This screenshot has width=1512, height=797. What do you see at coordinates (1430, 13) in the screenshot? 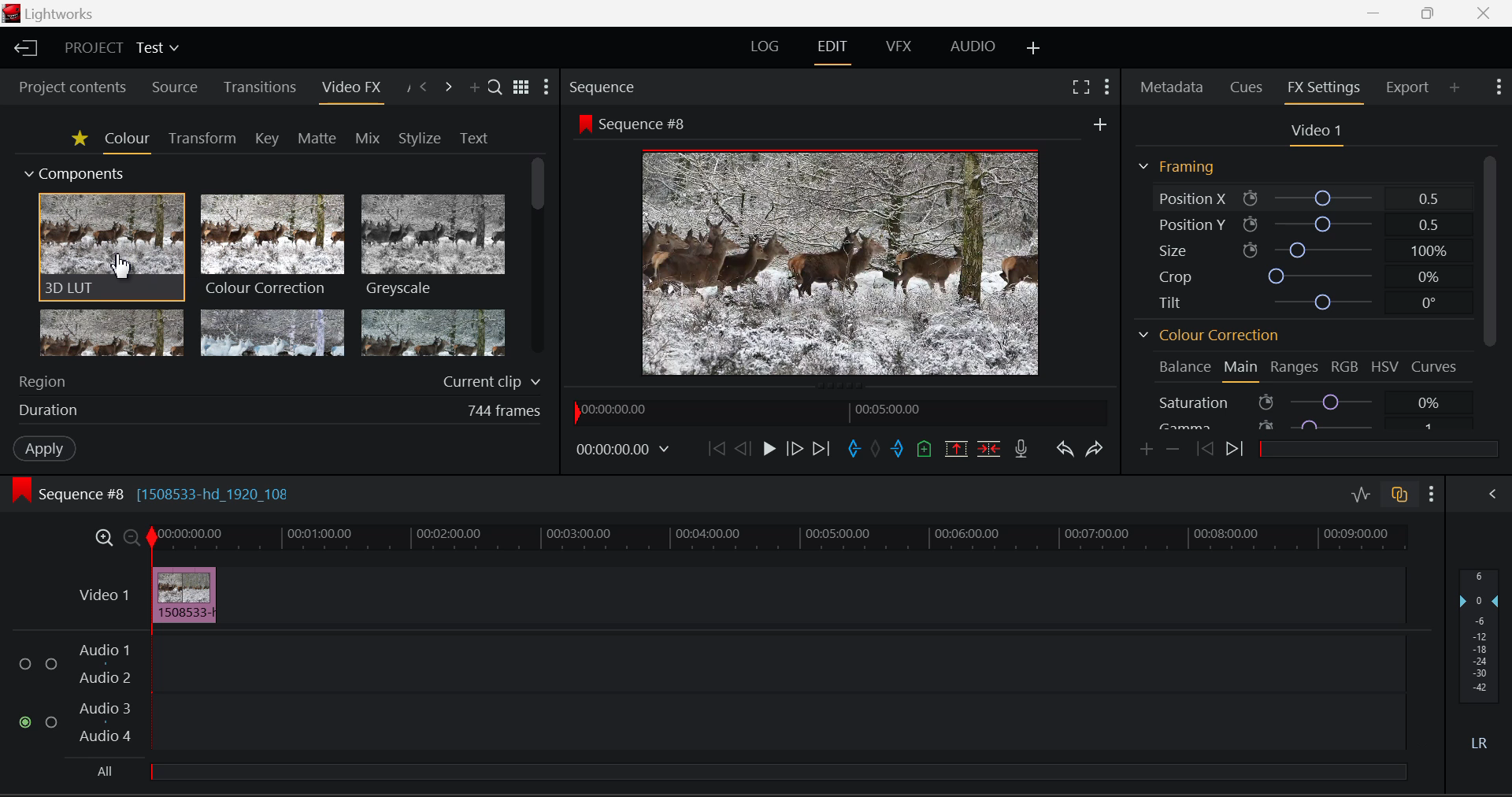
I see `Minimize` at bounding box center [1430, 13].